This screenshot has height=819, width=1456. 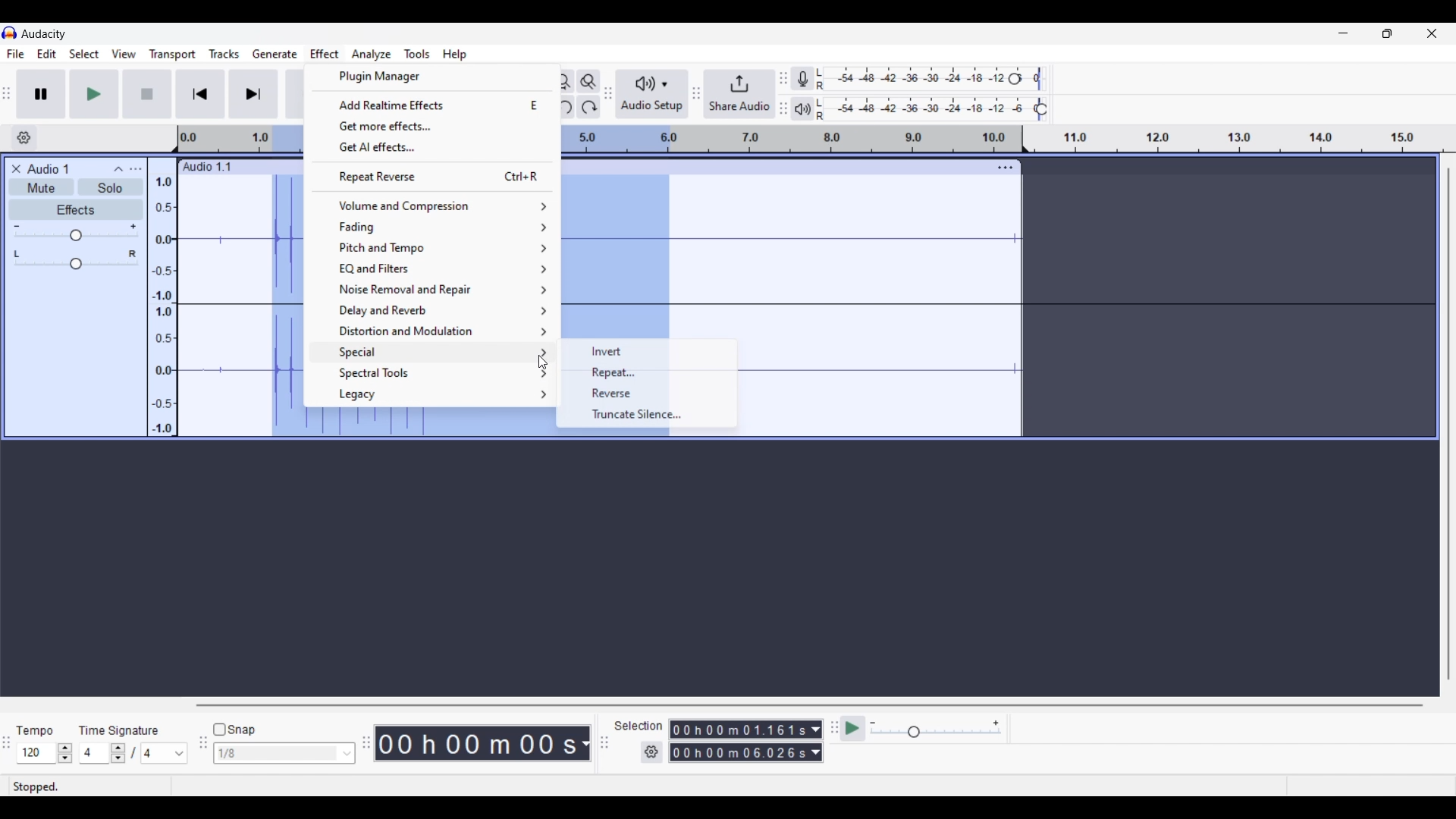 I want to click on Type in time signature, so click(x=94, y=753).